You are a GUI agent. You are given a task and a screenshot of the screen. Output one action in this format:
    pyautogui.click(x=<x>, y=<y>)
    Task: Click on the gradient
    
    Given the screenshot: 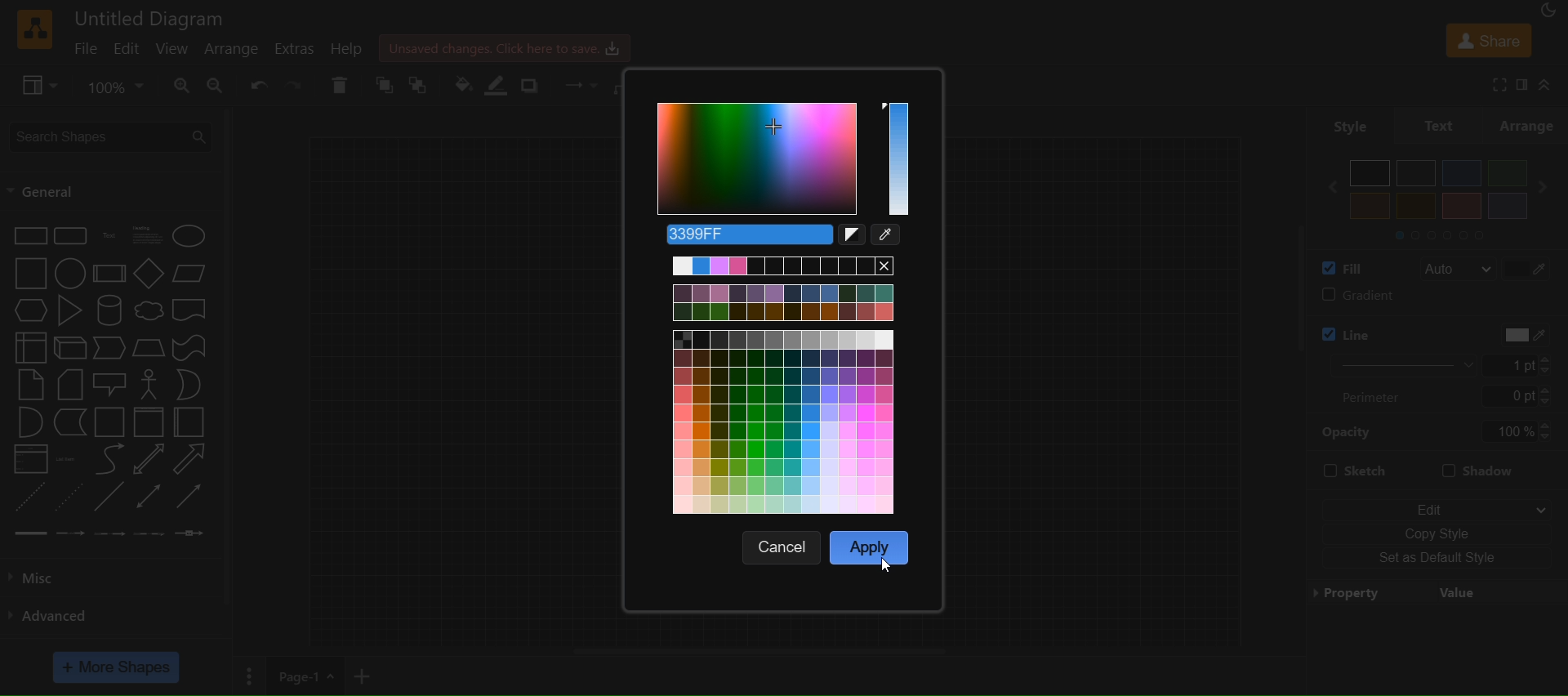 What is the action you would take?
    pyautogui.click(x=1435, y=297)
    